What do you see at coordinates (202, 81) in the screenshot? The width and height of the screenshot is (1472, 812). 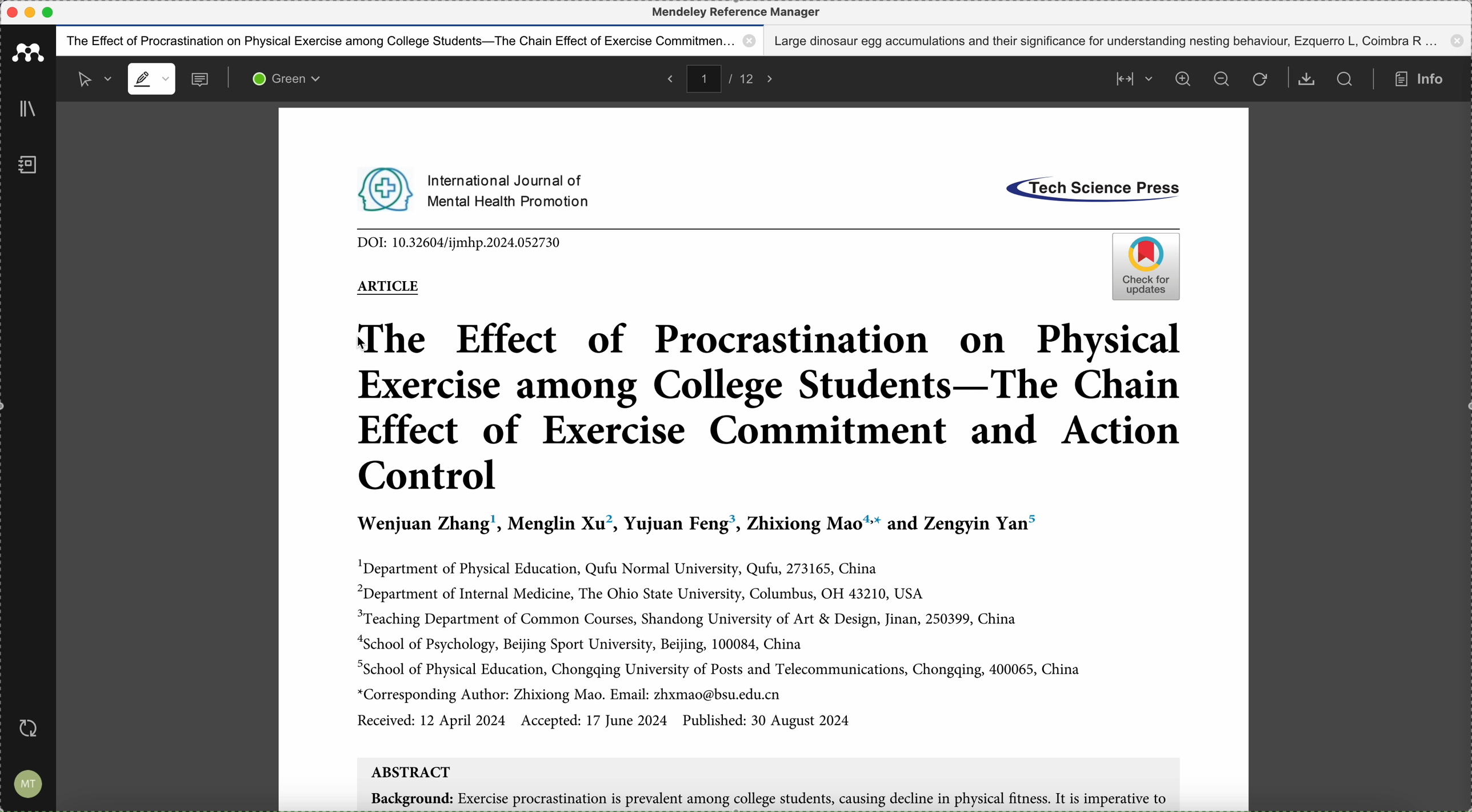 I see `comments` at bounding box center [202, 81].